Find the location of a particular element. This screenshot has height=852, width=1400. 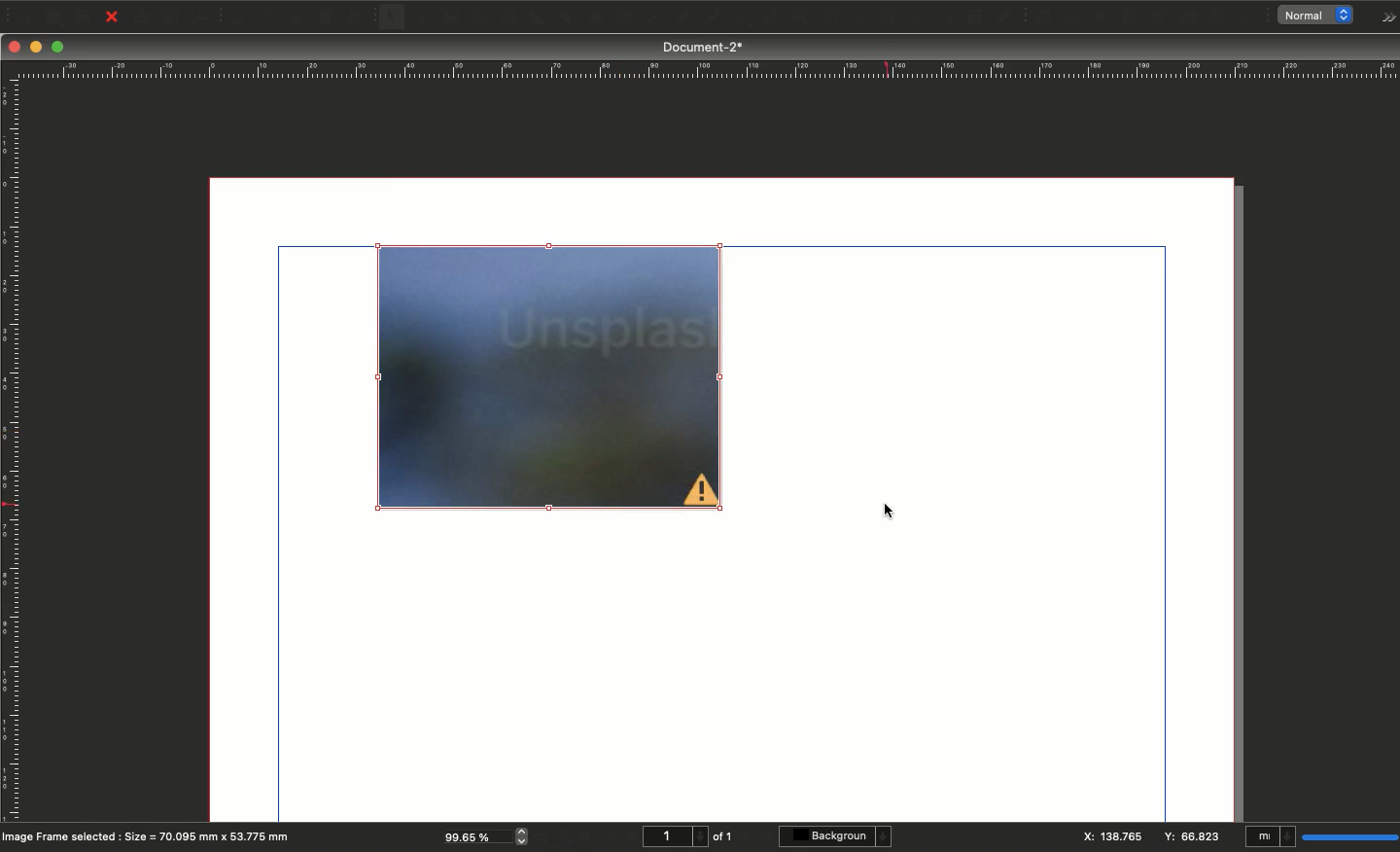

Background is located at coordinates (838, 836).